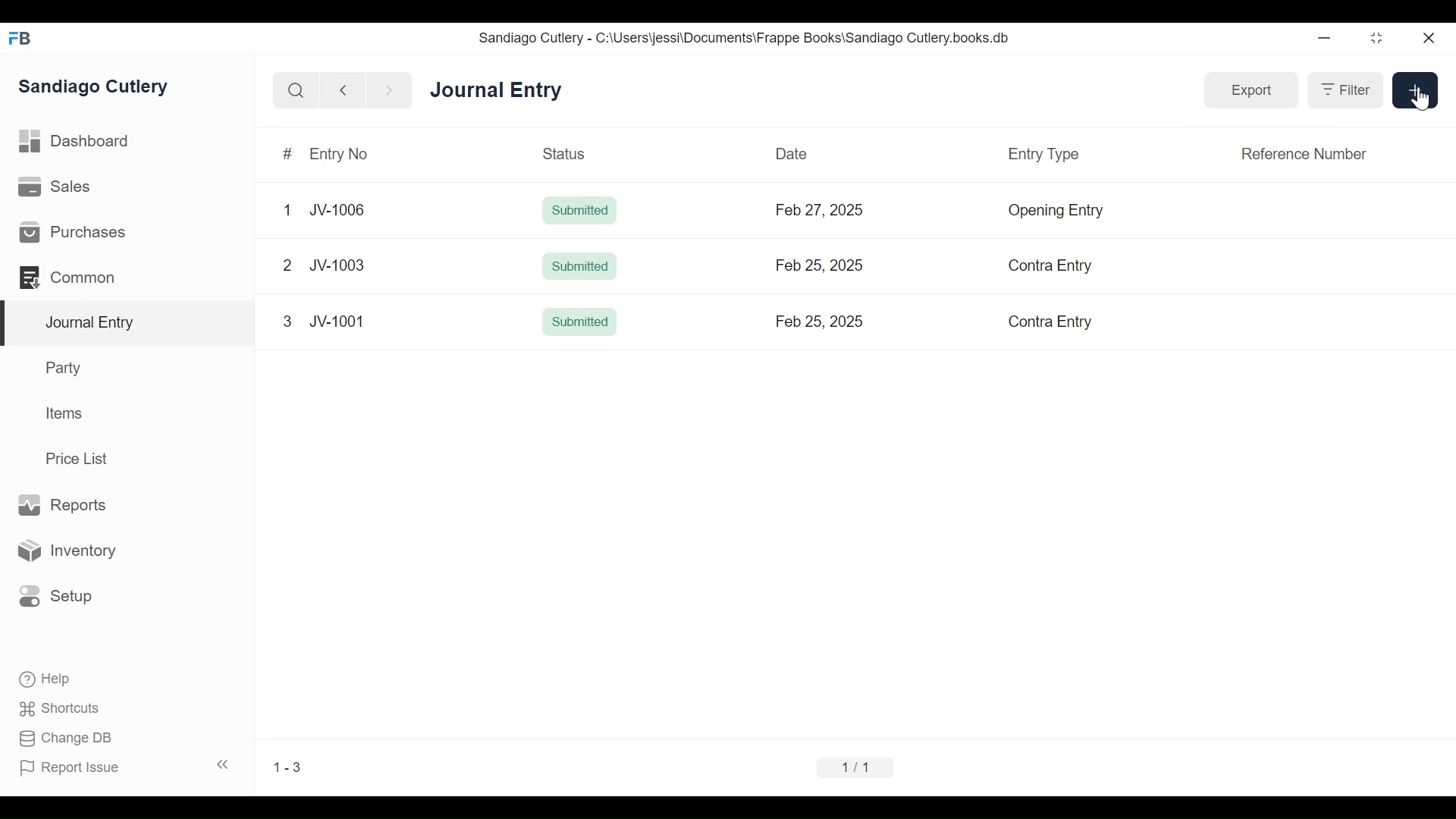 The image size is (1456, 819). What do you see at coordinates (287, 153) in the screenshot?
I see `#` at bounding box center [287, 153].